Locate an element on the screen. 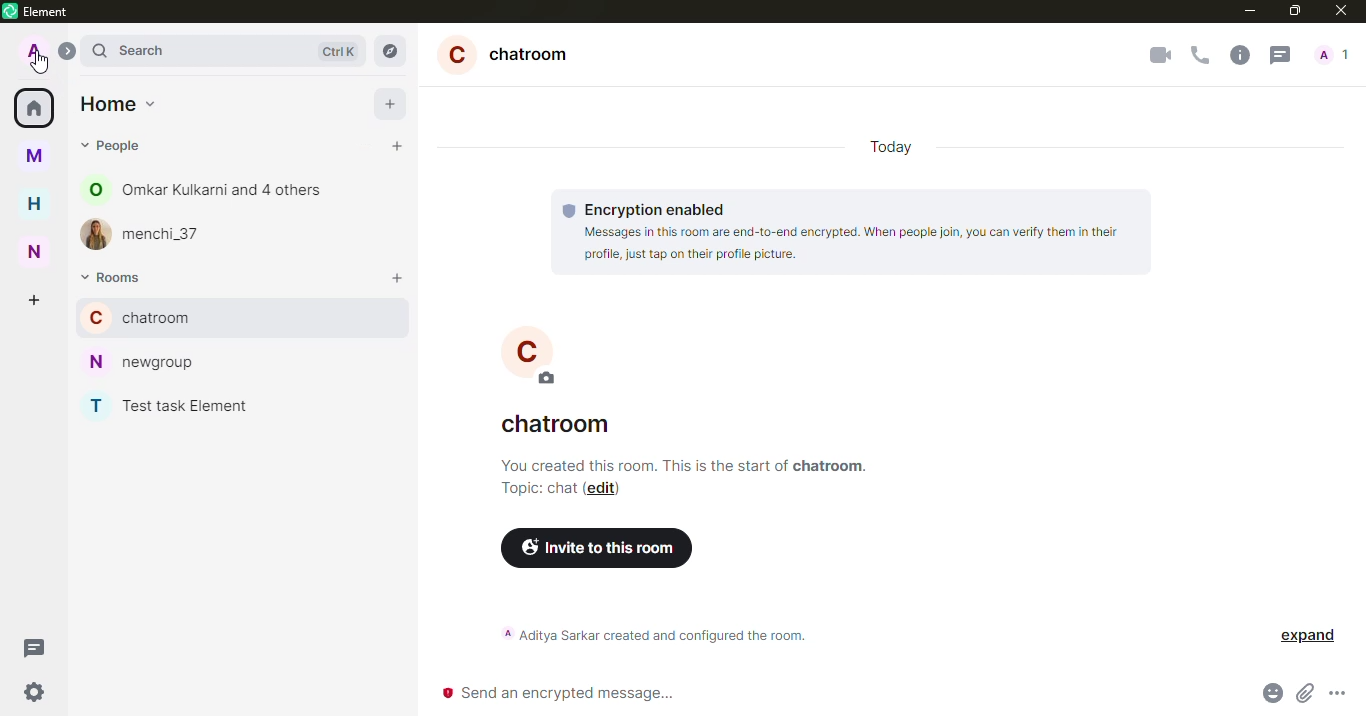  C is located at coordinates (540, 356).